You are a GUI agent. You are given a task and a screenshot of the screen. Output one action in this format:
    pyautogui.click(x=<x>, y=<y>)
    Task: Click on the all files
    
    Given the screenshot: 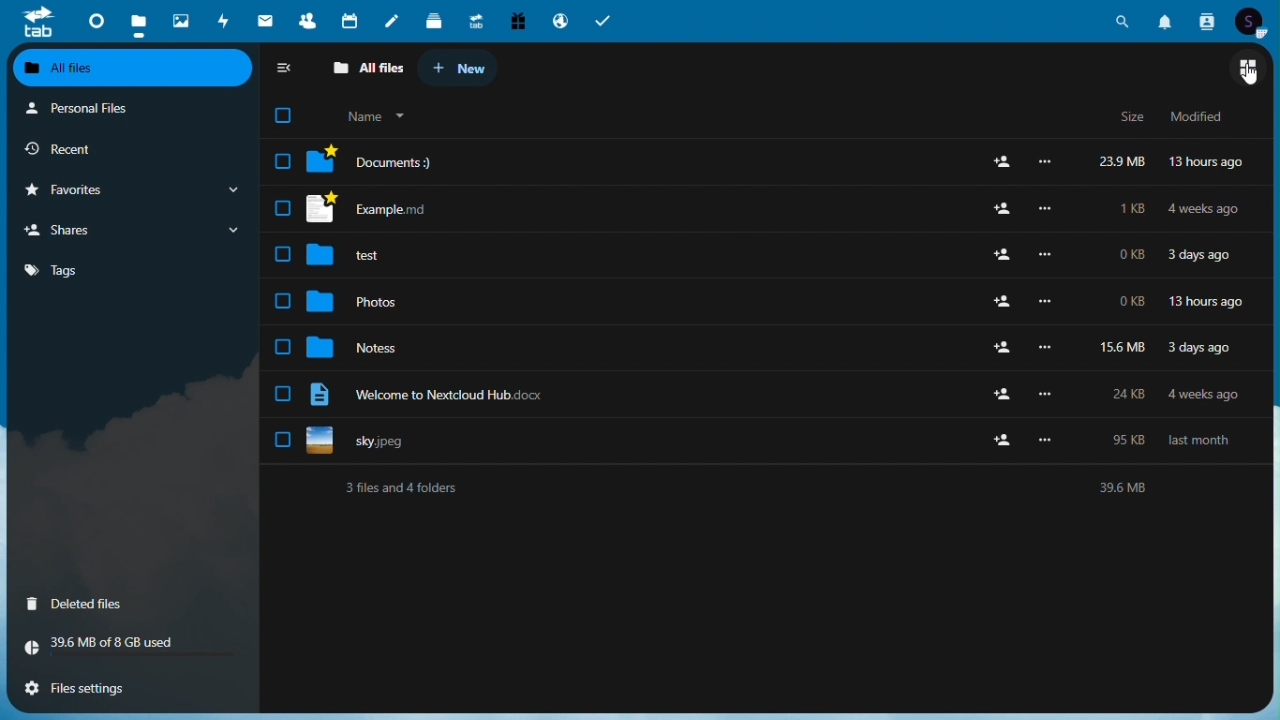 What is the action you would take?
    pyautogui.click(x=133, y=69)
    